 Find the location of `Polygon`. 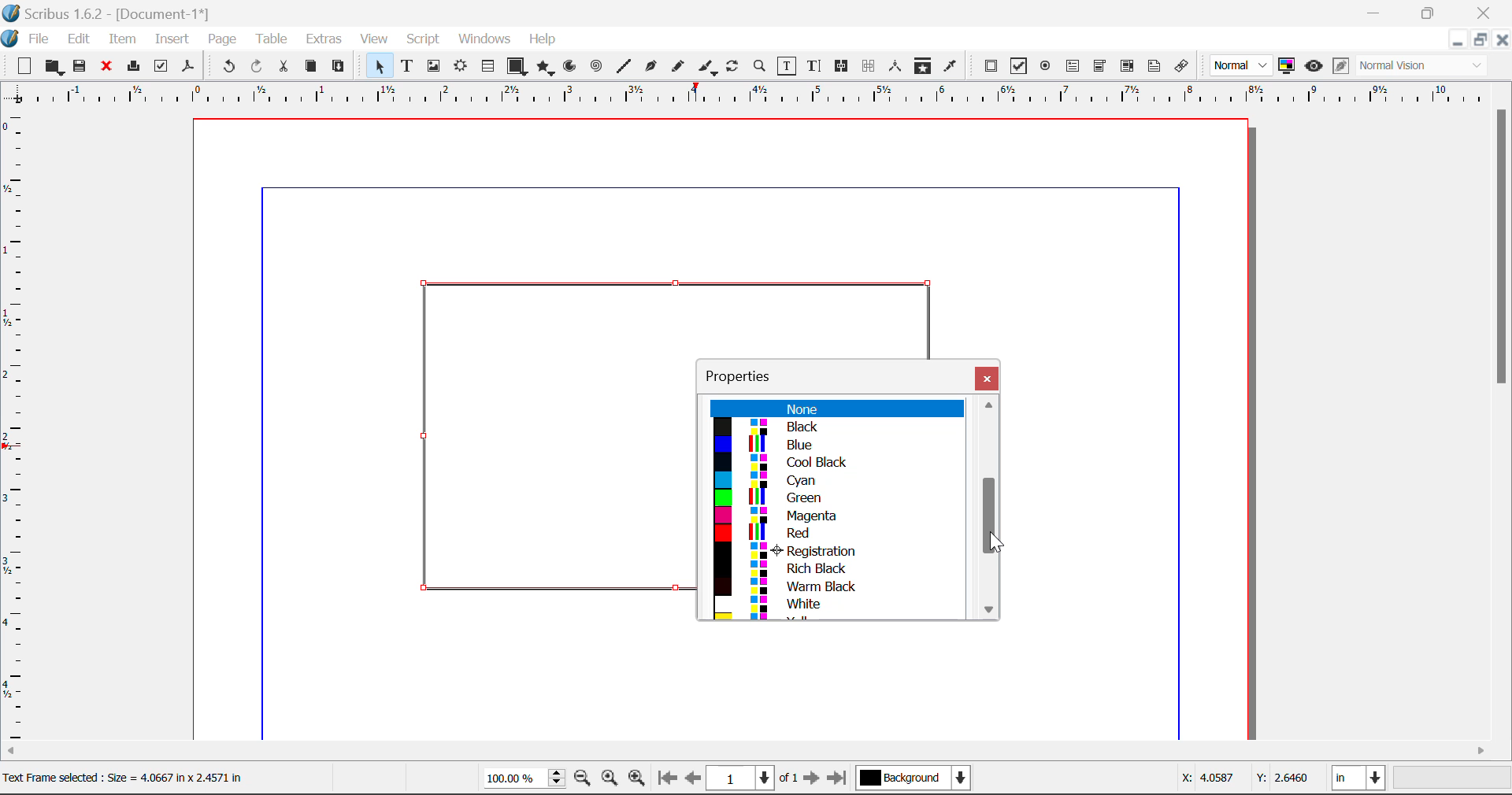

Polygon is located at coordinates (547, 68).